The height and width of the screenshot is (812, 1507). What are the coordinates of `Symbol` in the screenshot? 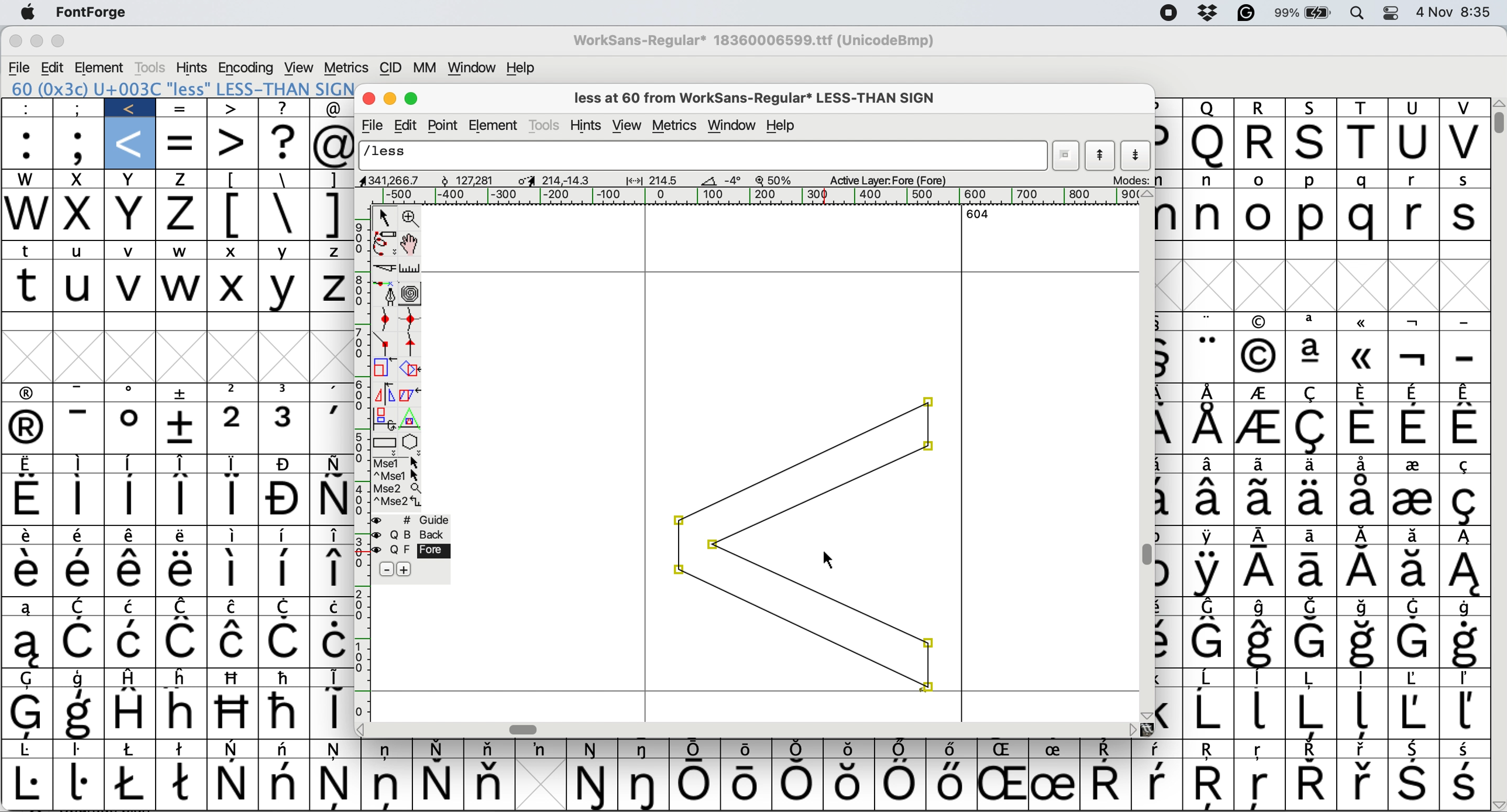 It's located at (1464, 644).